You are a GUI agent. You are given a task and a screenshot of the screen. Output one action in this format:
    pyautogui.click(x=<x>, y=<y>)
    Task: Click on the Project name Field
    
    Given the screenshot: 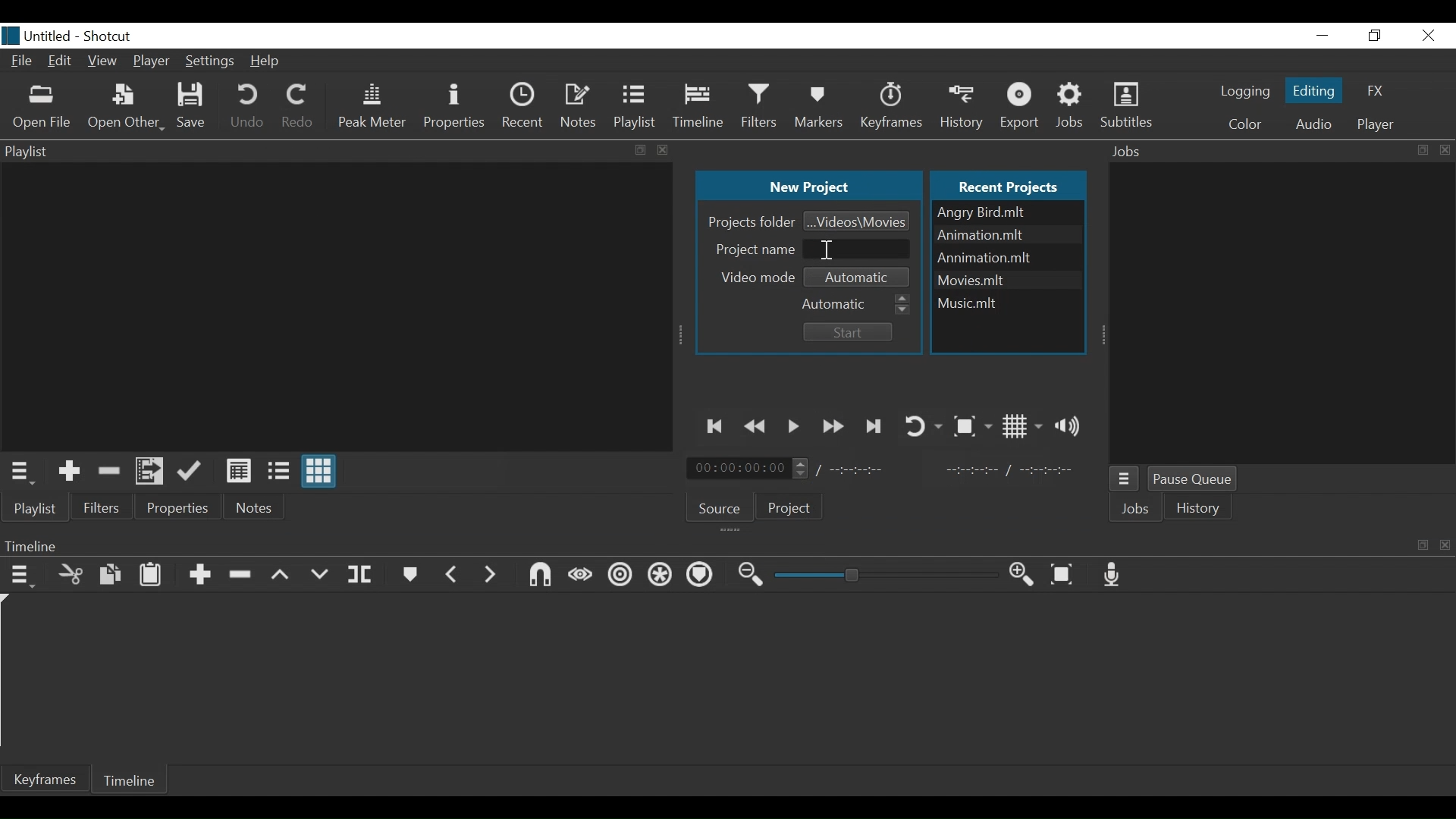 What is the action you would take?
    pyautogui.click(x=858, y=248)
    